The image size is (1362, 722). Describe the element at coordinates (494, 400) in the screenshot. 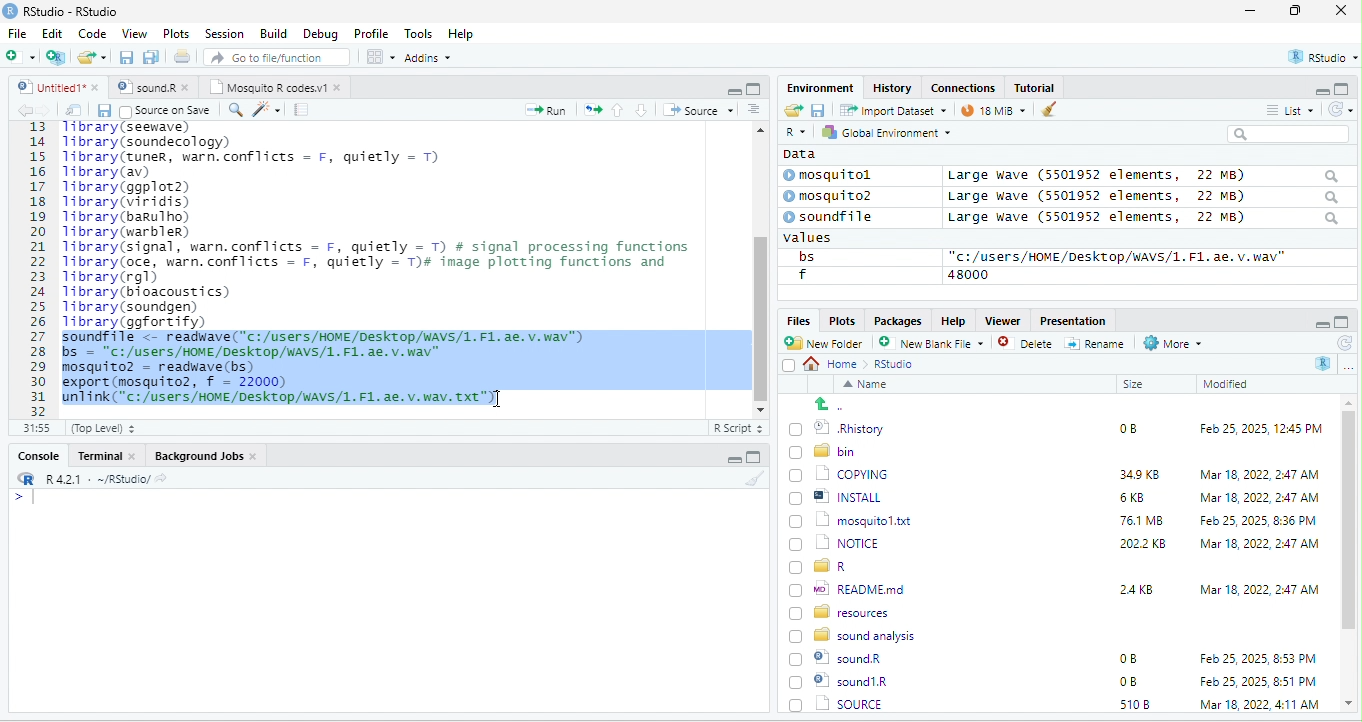

I see `cursor` at that location.